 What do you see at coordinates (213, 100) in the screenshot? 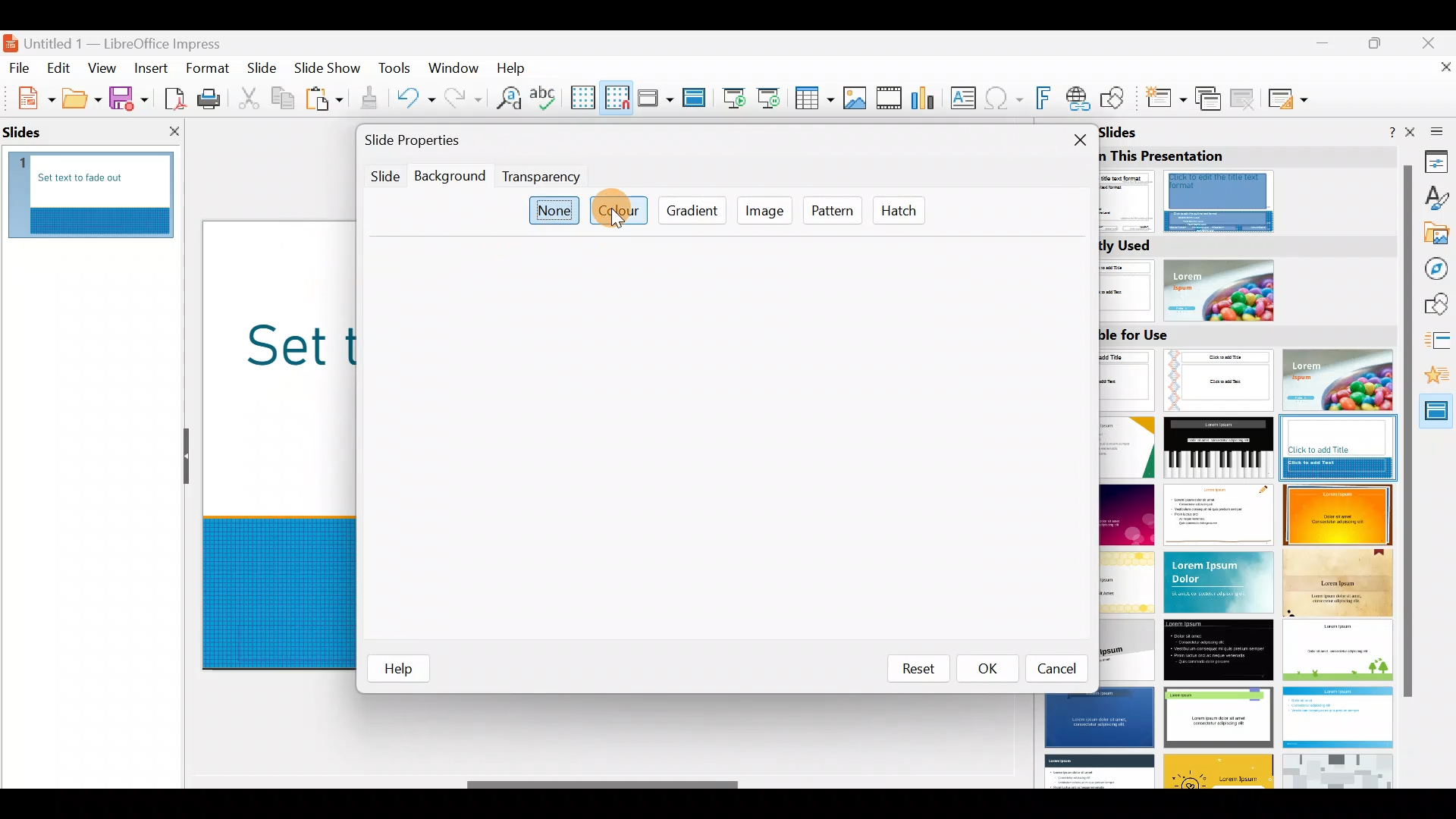
I see `Print` at bounding box center [213, 100].